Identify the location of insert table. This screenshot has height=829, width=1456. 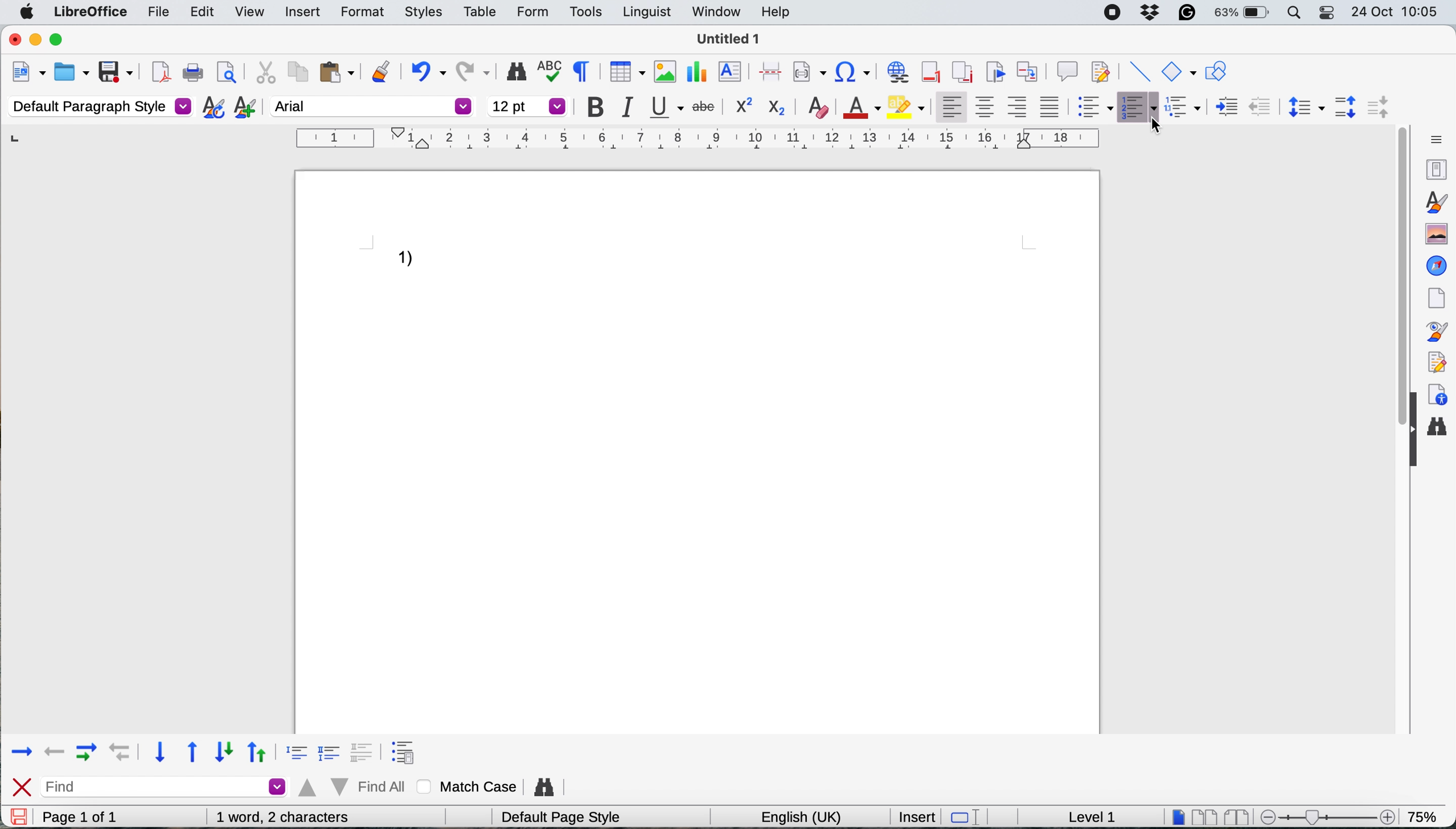
(625, 73).